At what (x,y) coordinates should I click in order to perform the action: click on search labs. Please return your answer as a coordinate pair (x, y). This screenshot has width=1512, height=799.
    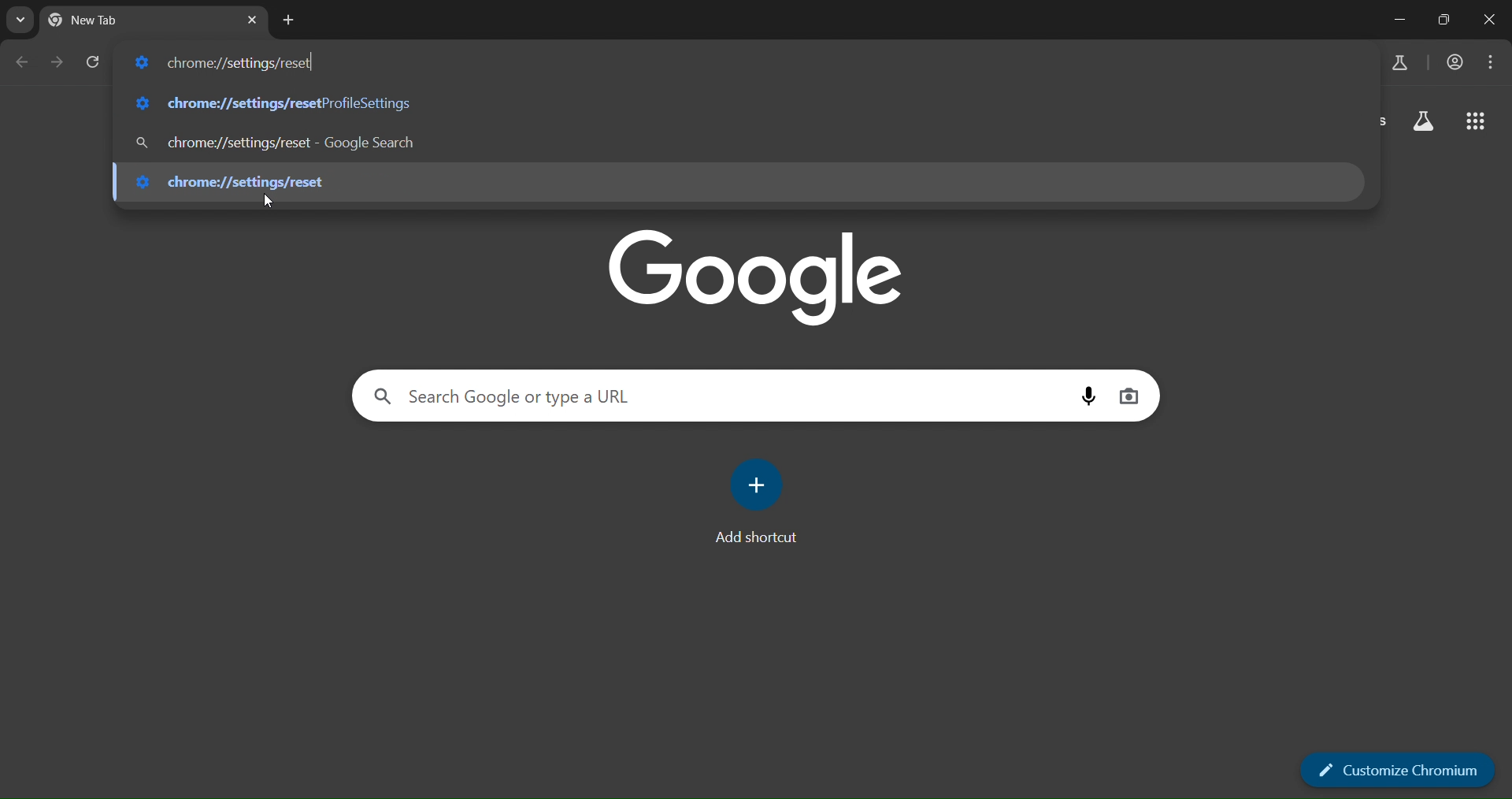
    Looking at the image, I should click on (1395, 63).